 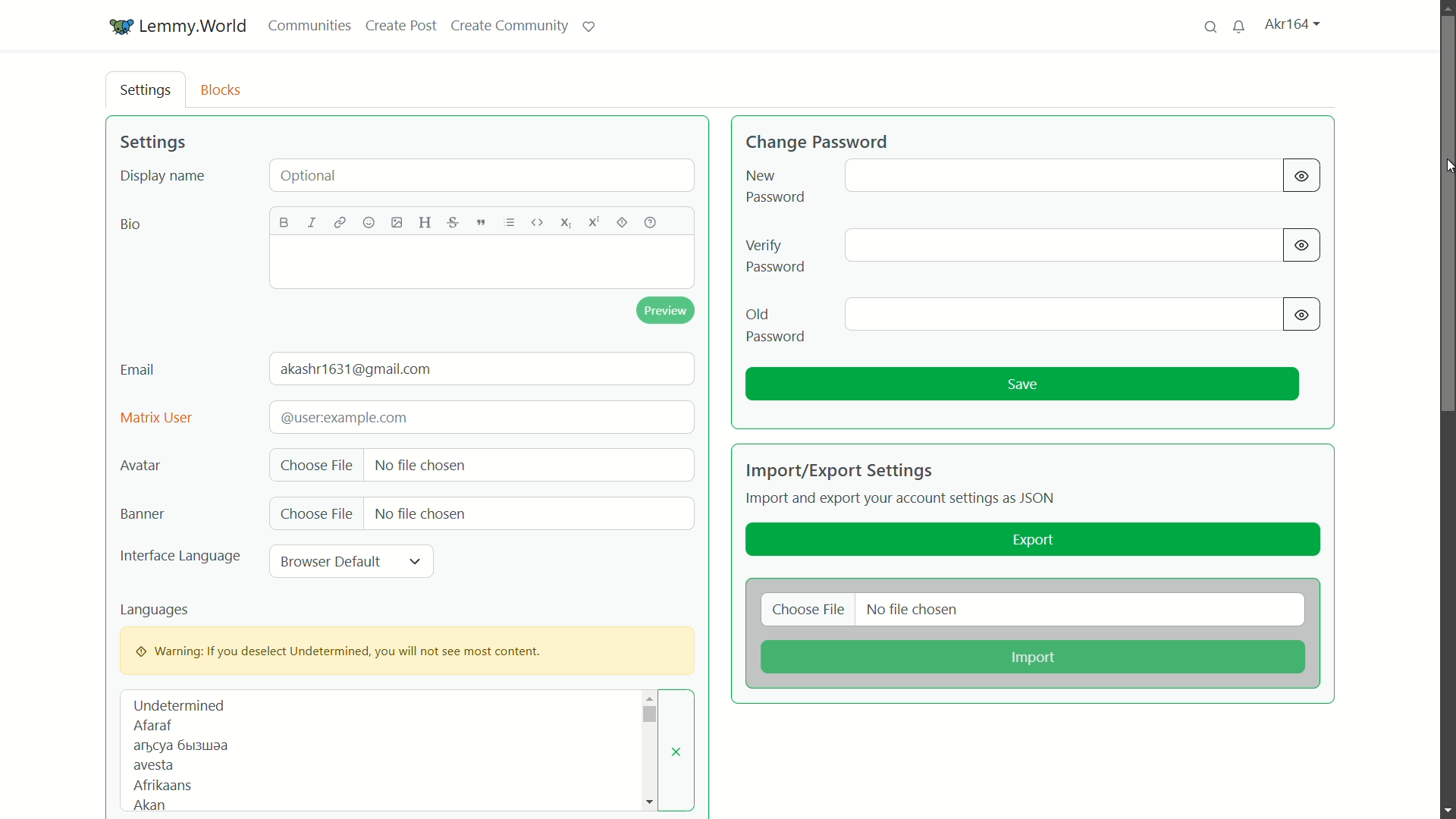 I want to click on text, so click(x=344, y=417).